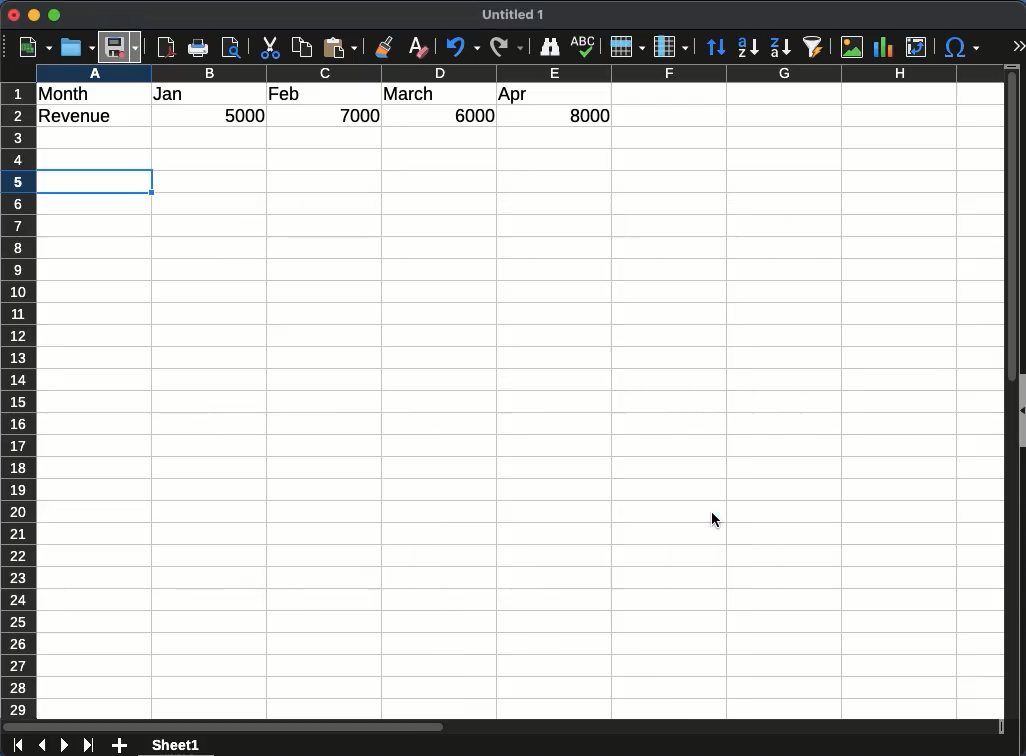 This screenshot has height=756, width=1026. I want to click on Cursor, so click(718, 521).